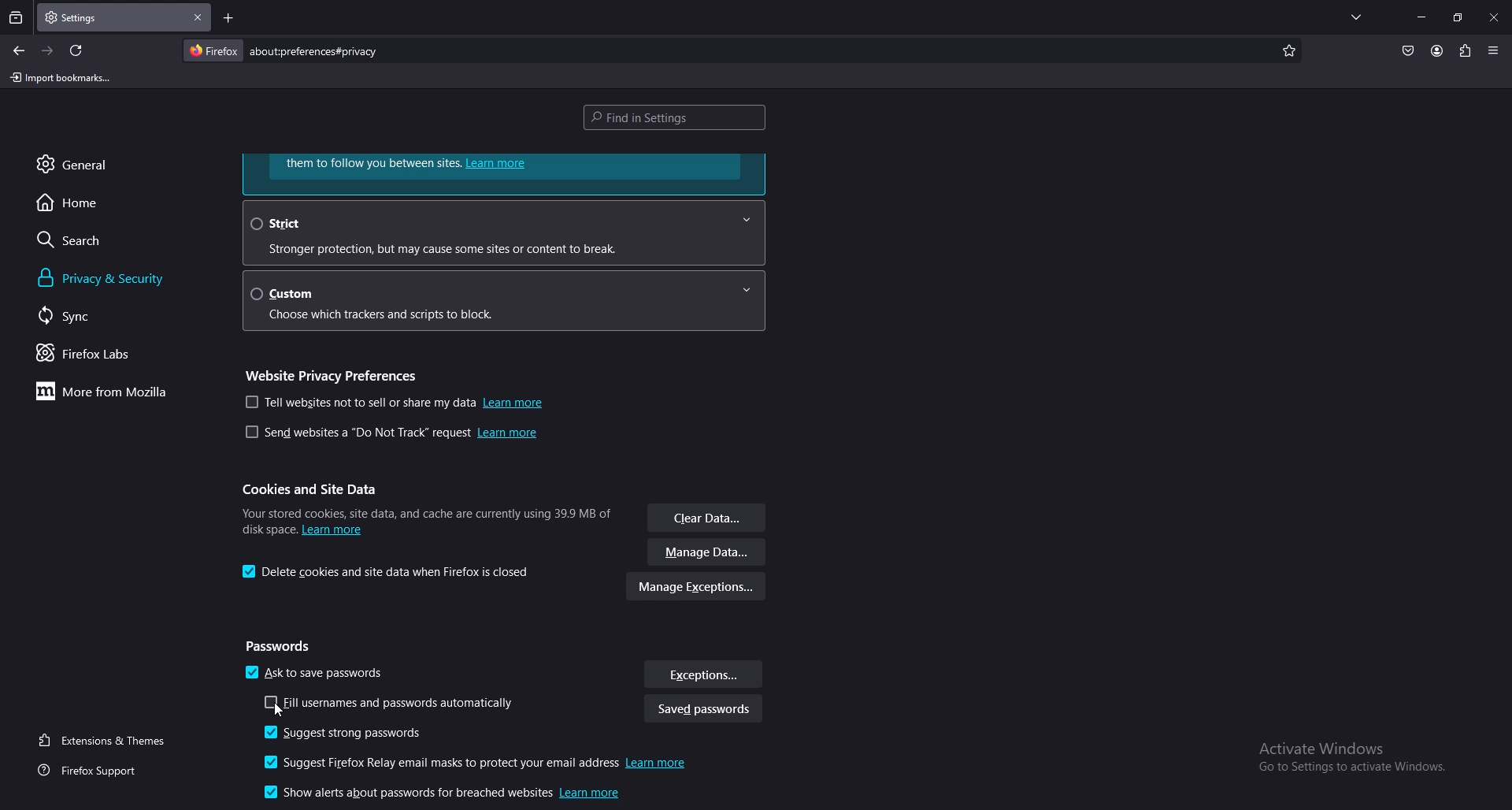  Describe the element at coordinates (1494, 19) in the screenshot. I see `close` at that location.